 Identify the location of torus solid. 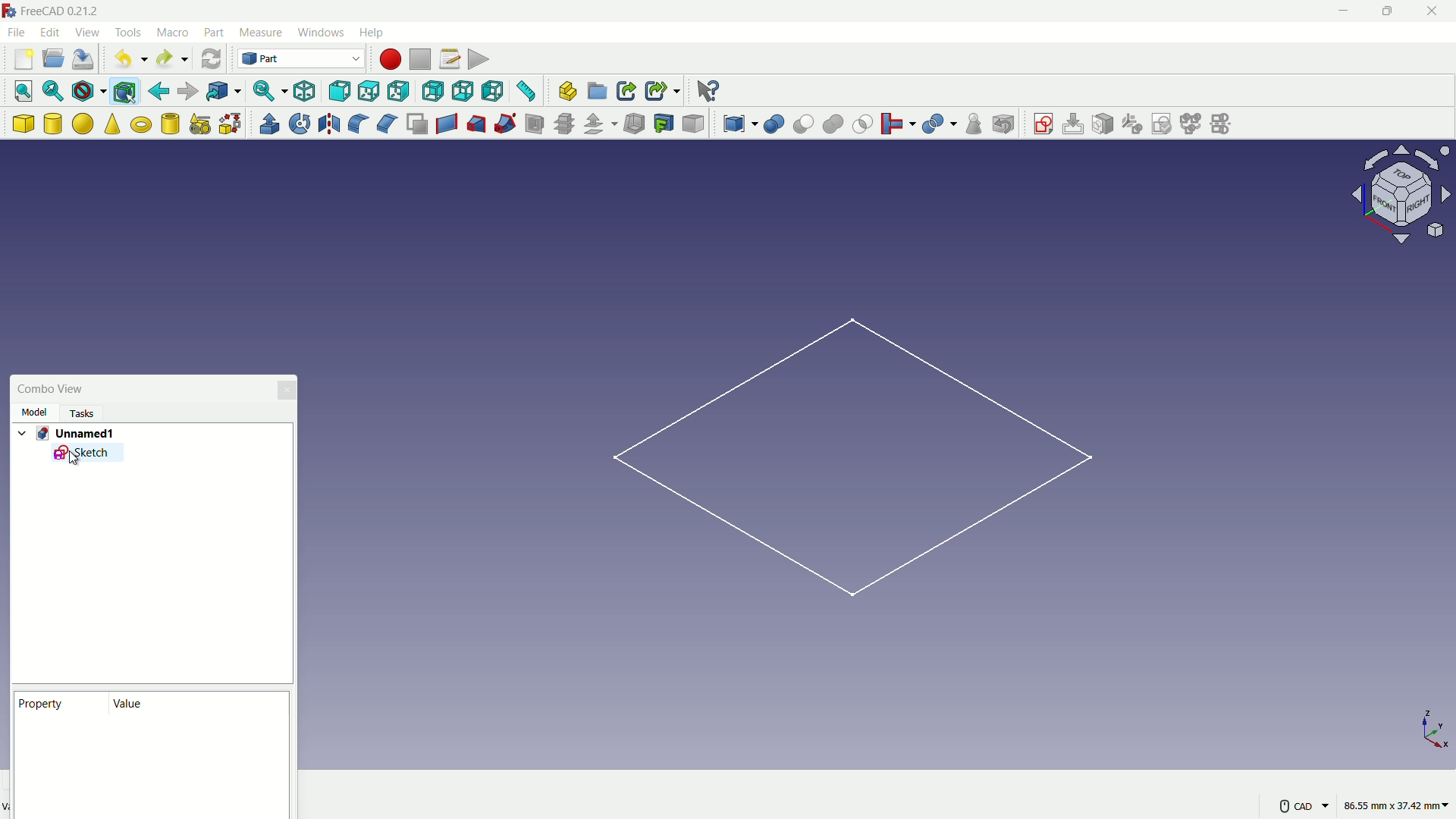
(142, 125).